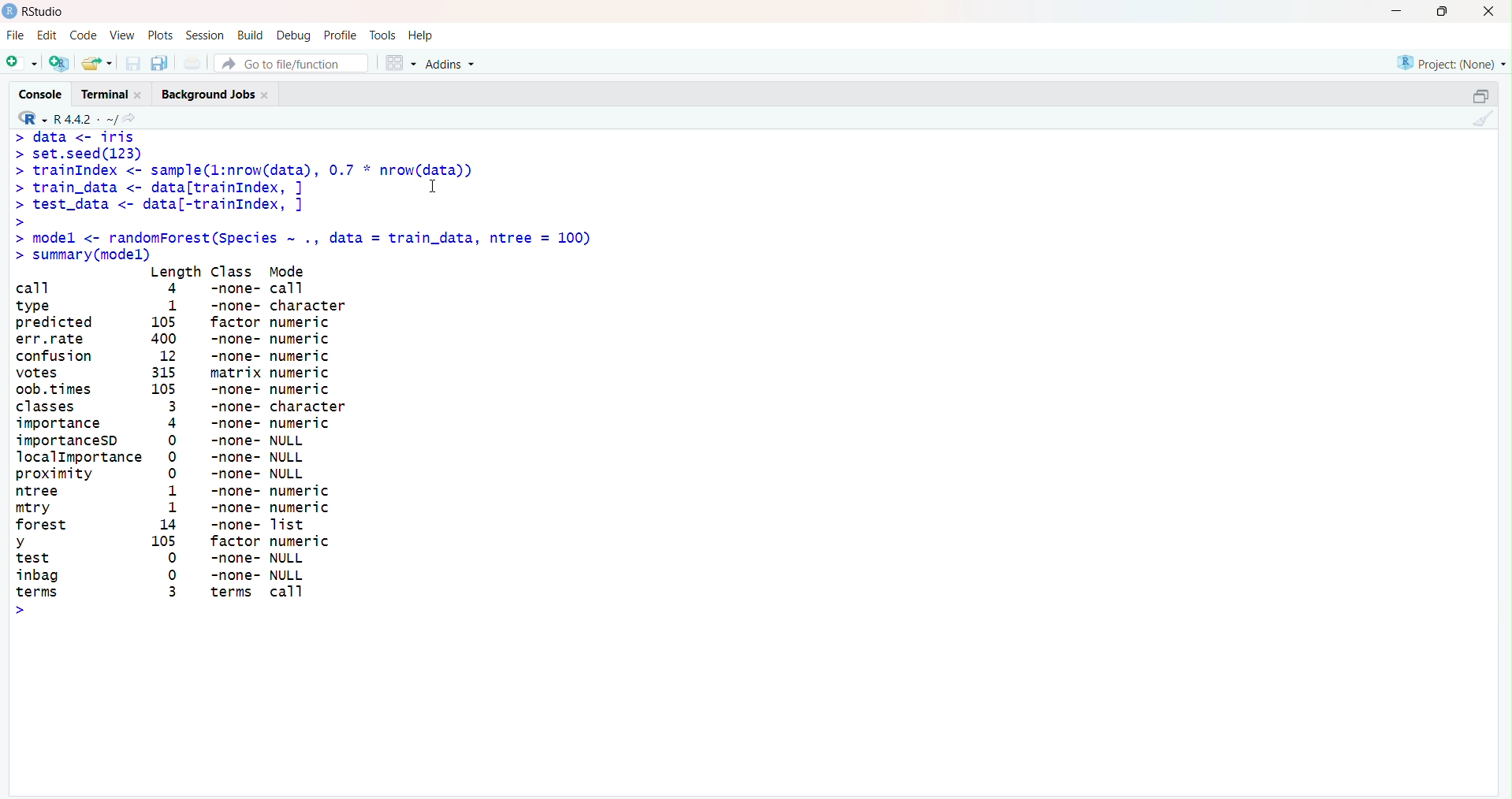 This screenshot has height=799, width=1512. I want to click on Prompt cursor, so click(18, 137).